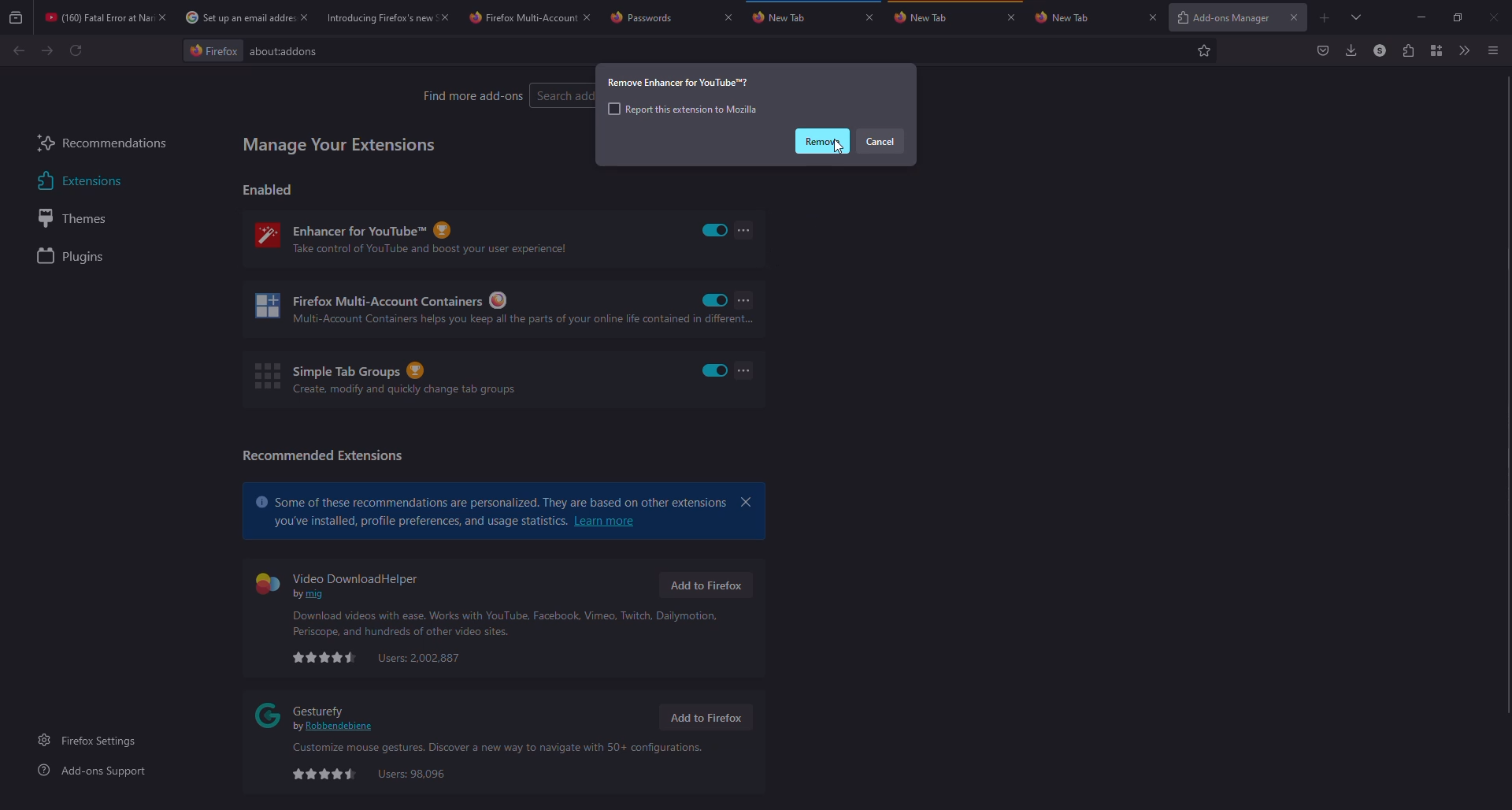  I want to click on forward, so click(47, 50).